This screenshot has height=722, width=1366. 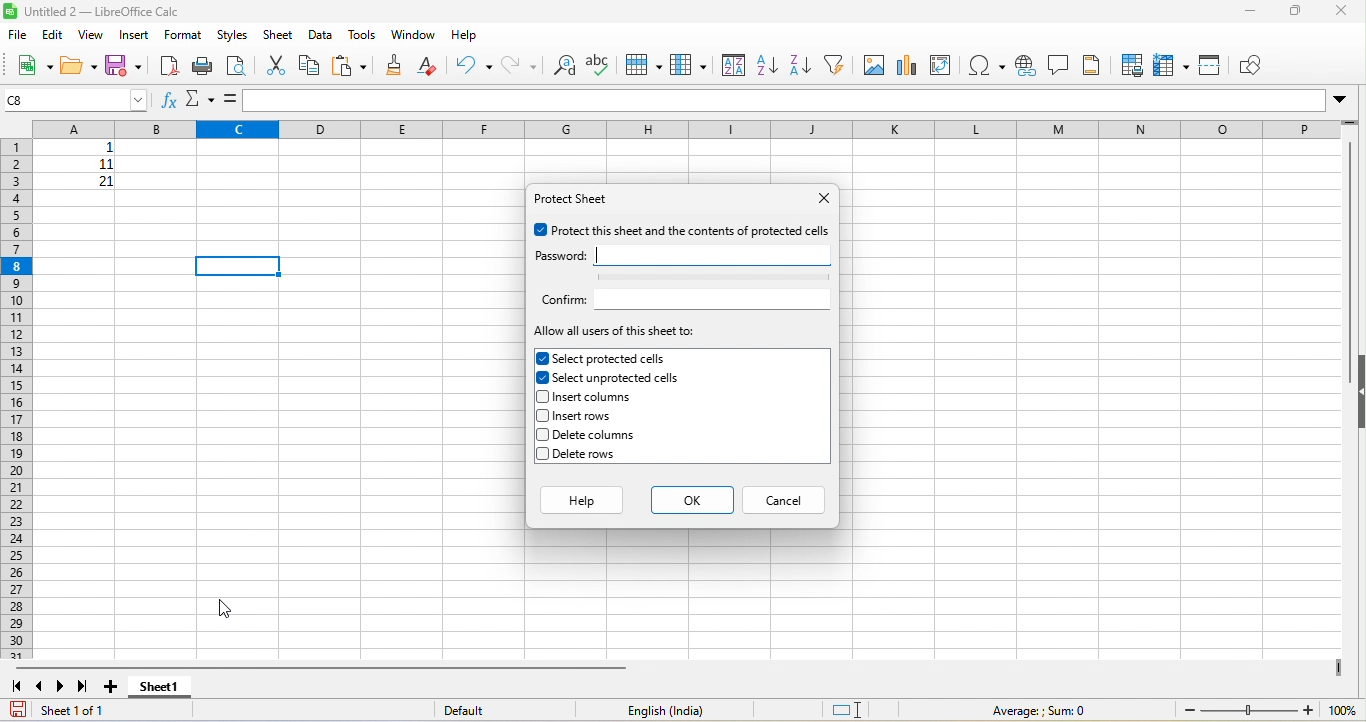 What do you see at coordinates (678, 710) in the screenshot?
I see `english` at bounding box center [678, 710].